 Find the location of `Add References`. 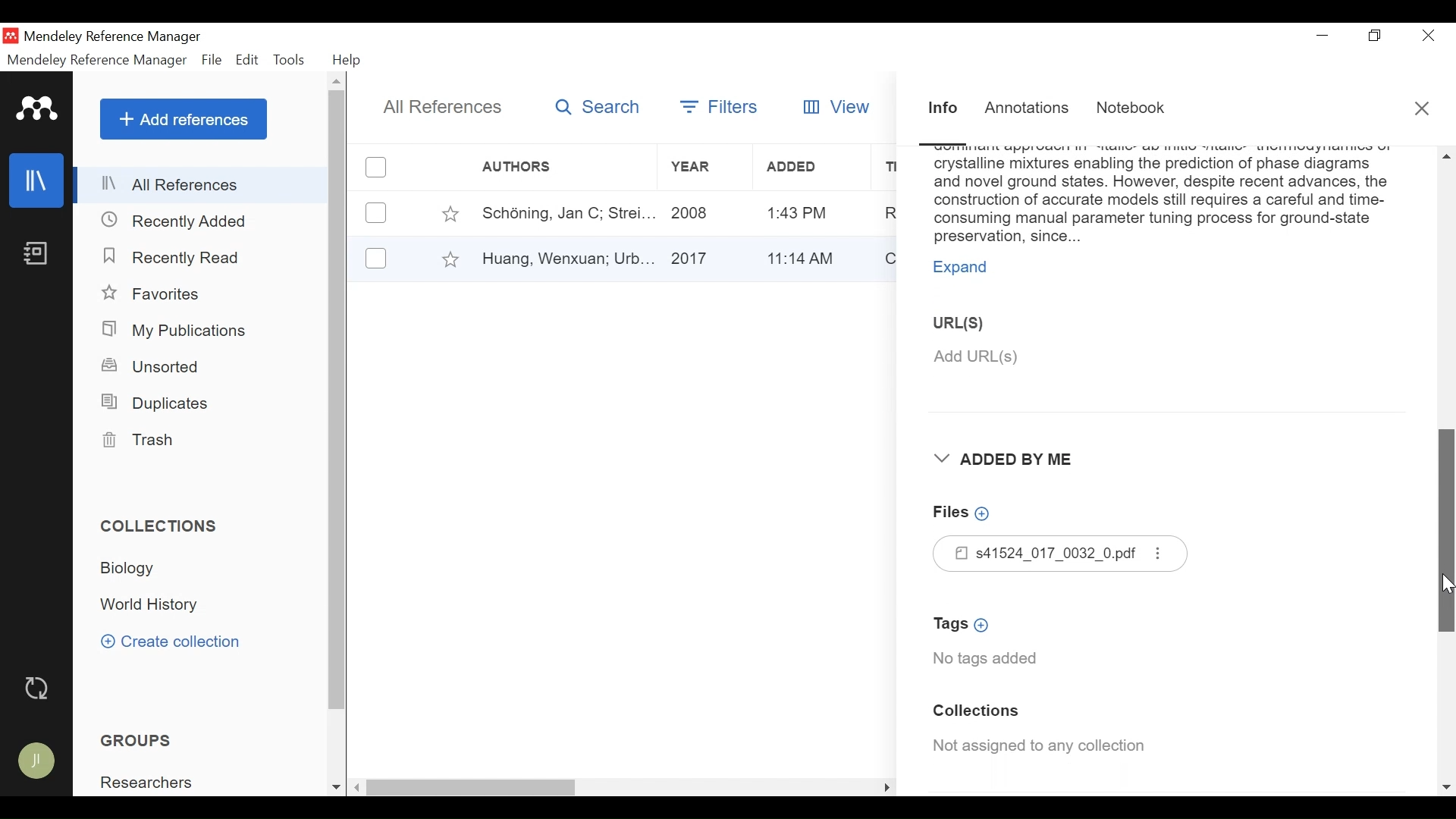

Add References is located at coordinates (184, 119).